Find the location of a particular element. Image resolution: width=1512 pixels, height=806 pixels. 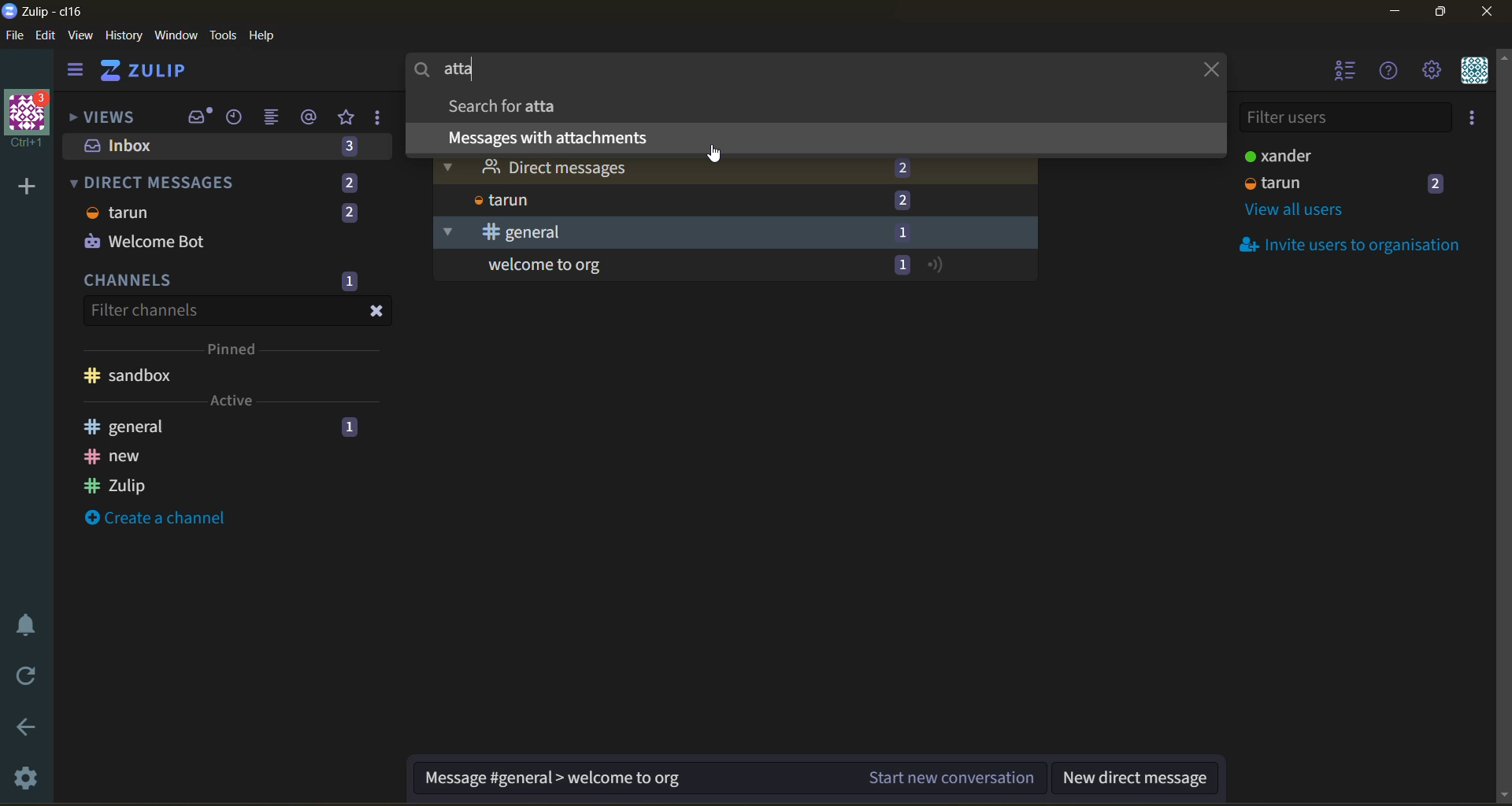

maximize is located at coordinates (1444, 12).